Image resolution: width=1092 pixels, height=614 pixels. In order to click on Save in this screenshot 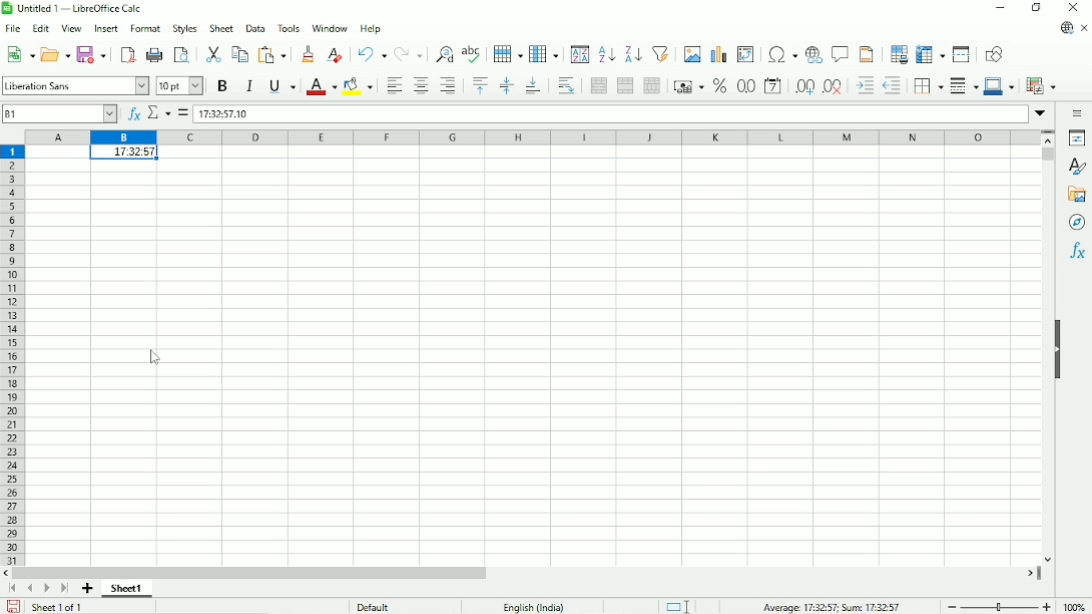, I will do `click(13, 606)`.